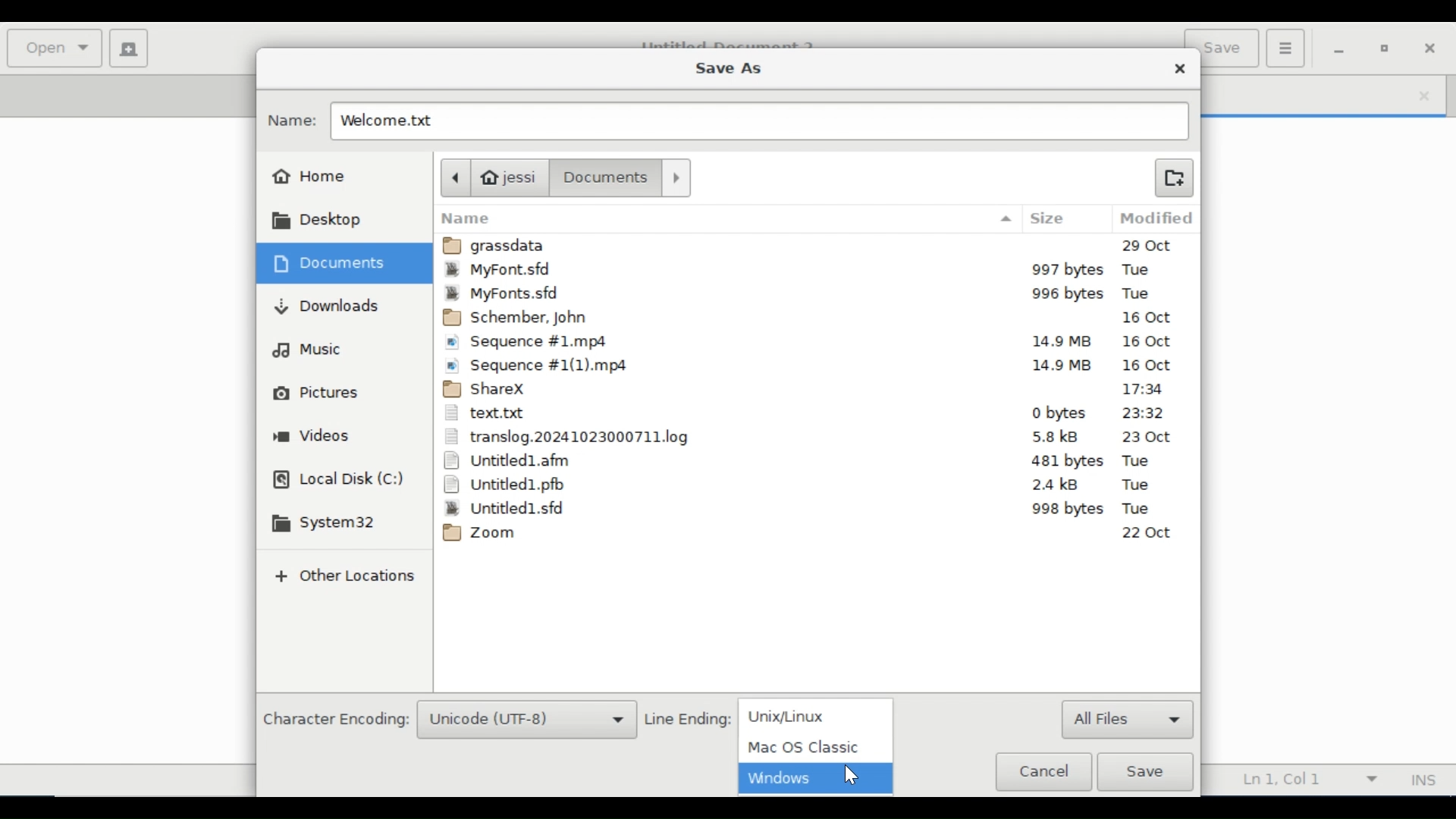 Image resolution: width=1456 pixels, height=819 pixels. I want to click on Close, so click(1181, 69).